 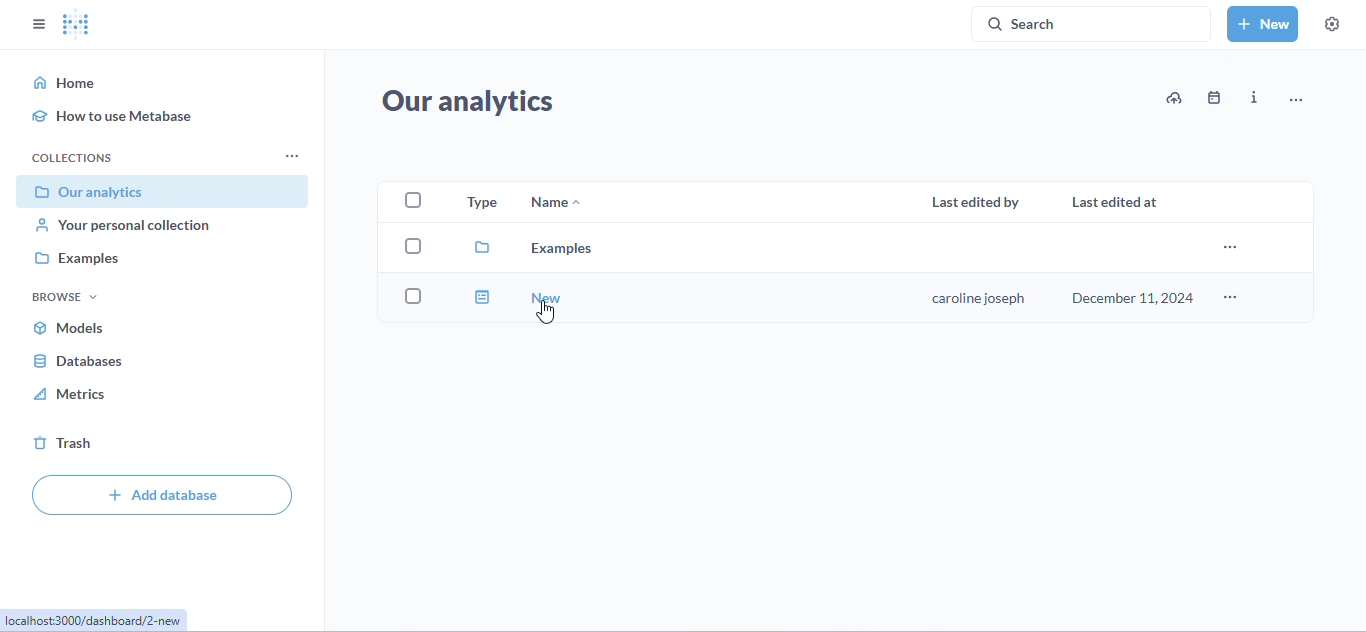 I want to click on more, so click(x=1297, y=99).